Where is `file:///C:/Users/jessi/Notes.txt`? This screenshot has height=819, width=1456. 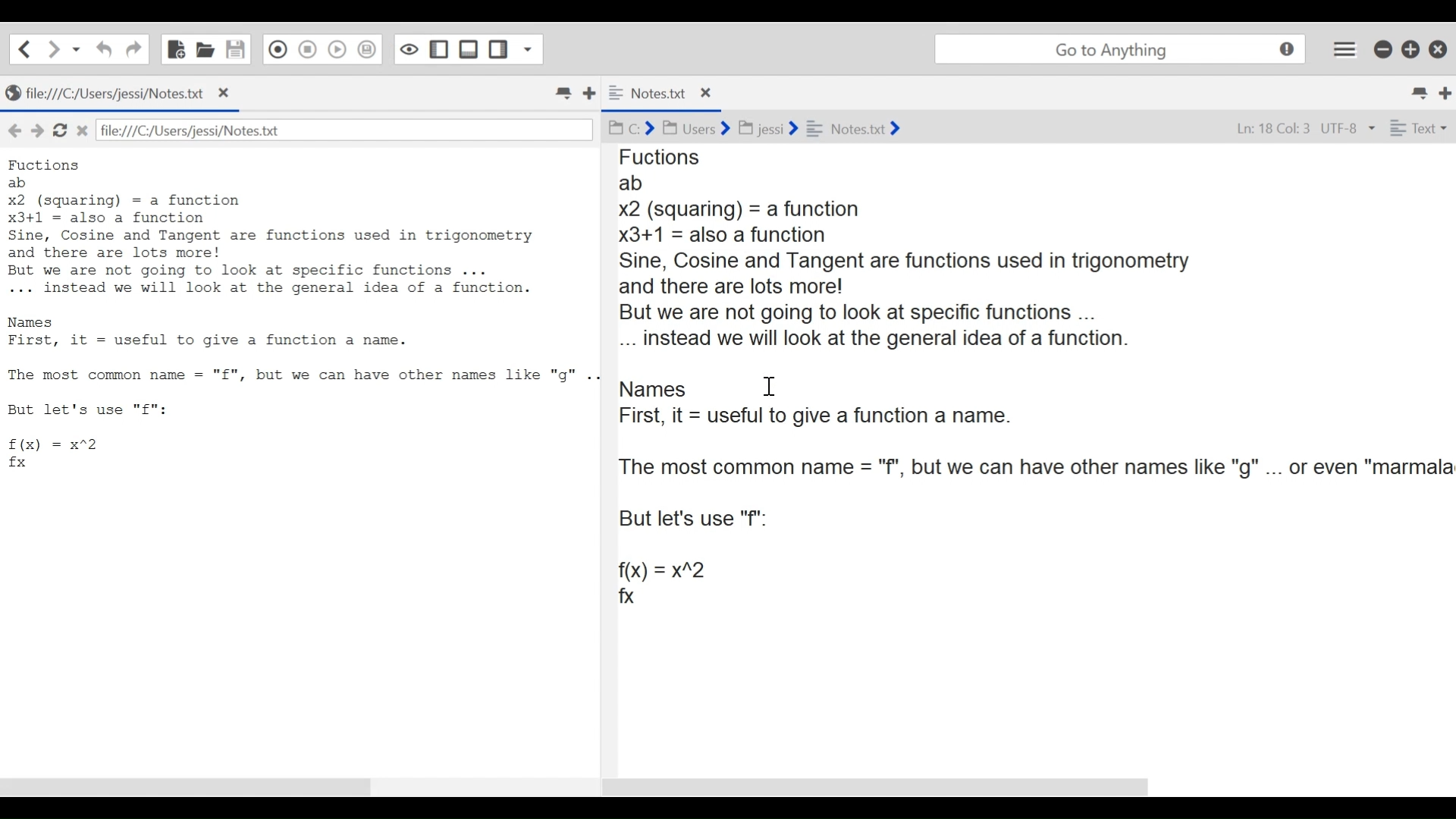
file:///C:/Users/jessi/Notes.txt is located at coordinates (109, 93).